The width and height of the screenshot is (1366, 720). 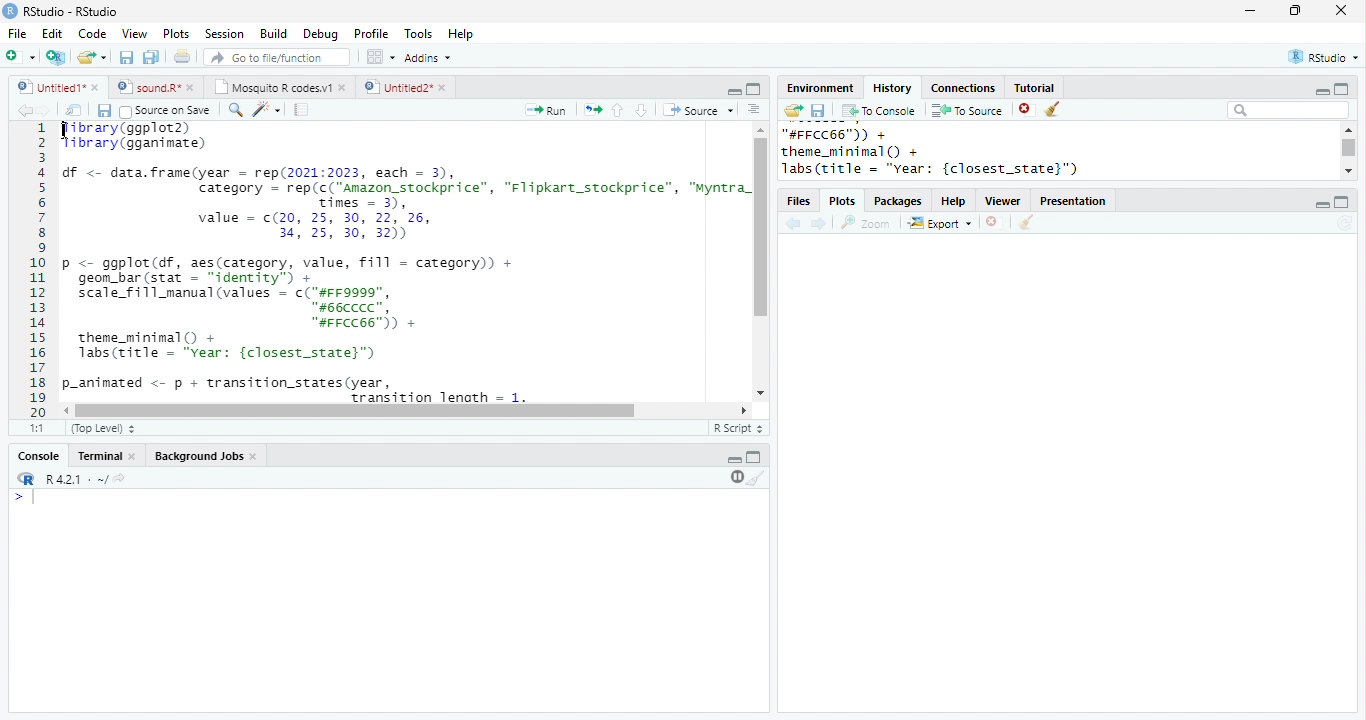 What do you see at coordinates (756, 478) in the screenshot?
I see `clear` at bounding box center [756, 478].